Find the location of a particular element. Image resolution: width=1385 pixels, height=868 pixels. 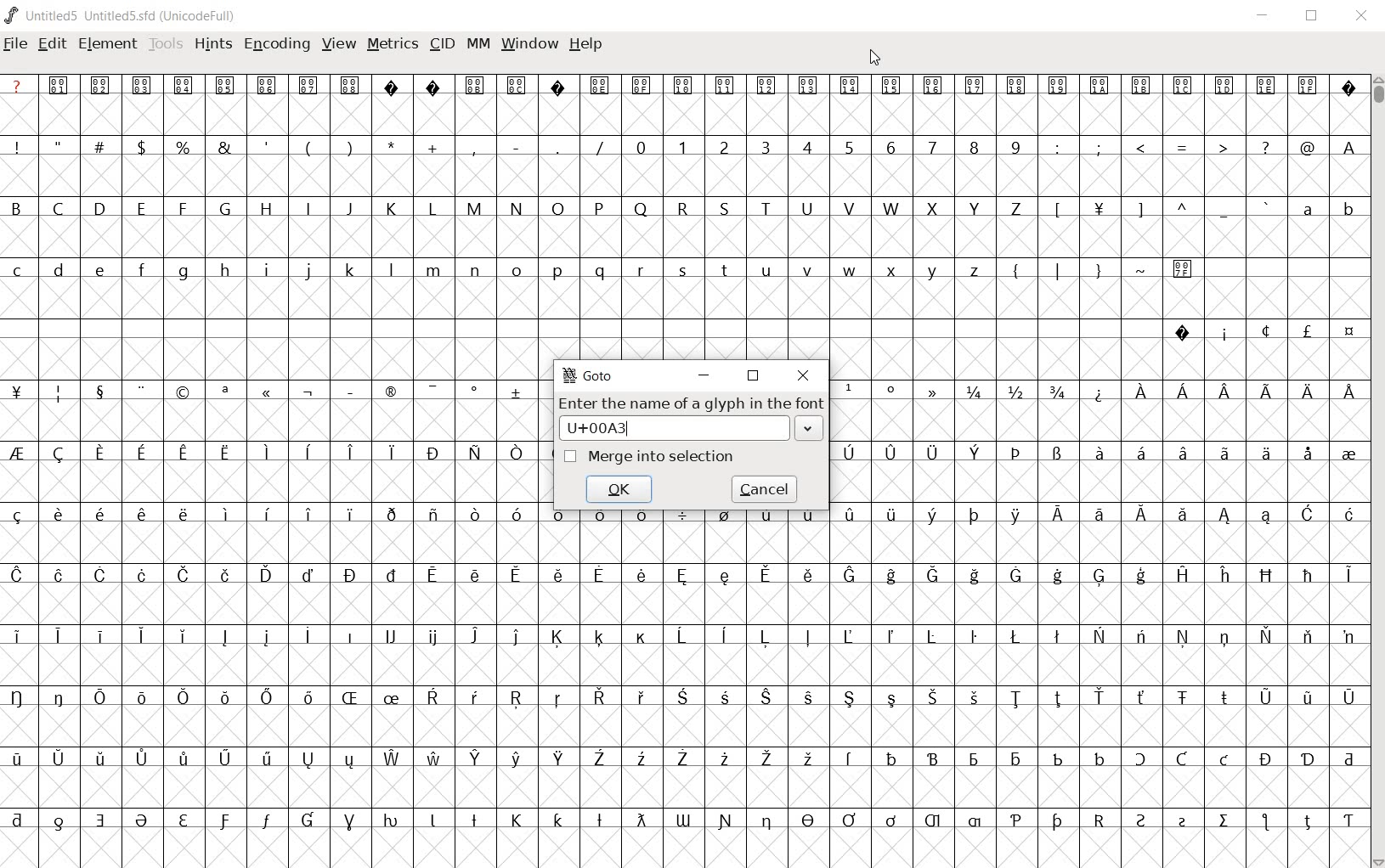

3/4 is located at coordinates (1055, 392).